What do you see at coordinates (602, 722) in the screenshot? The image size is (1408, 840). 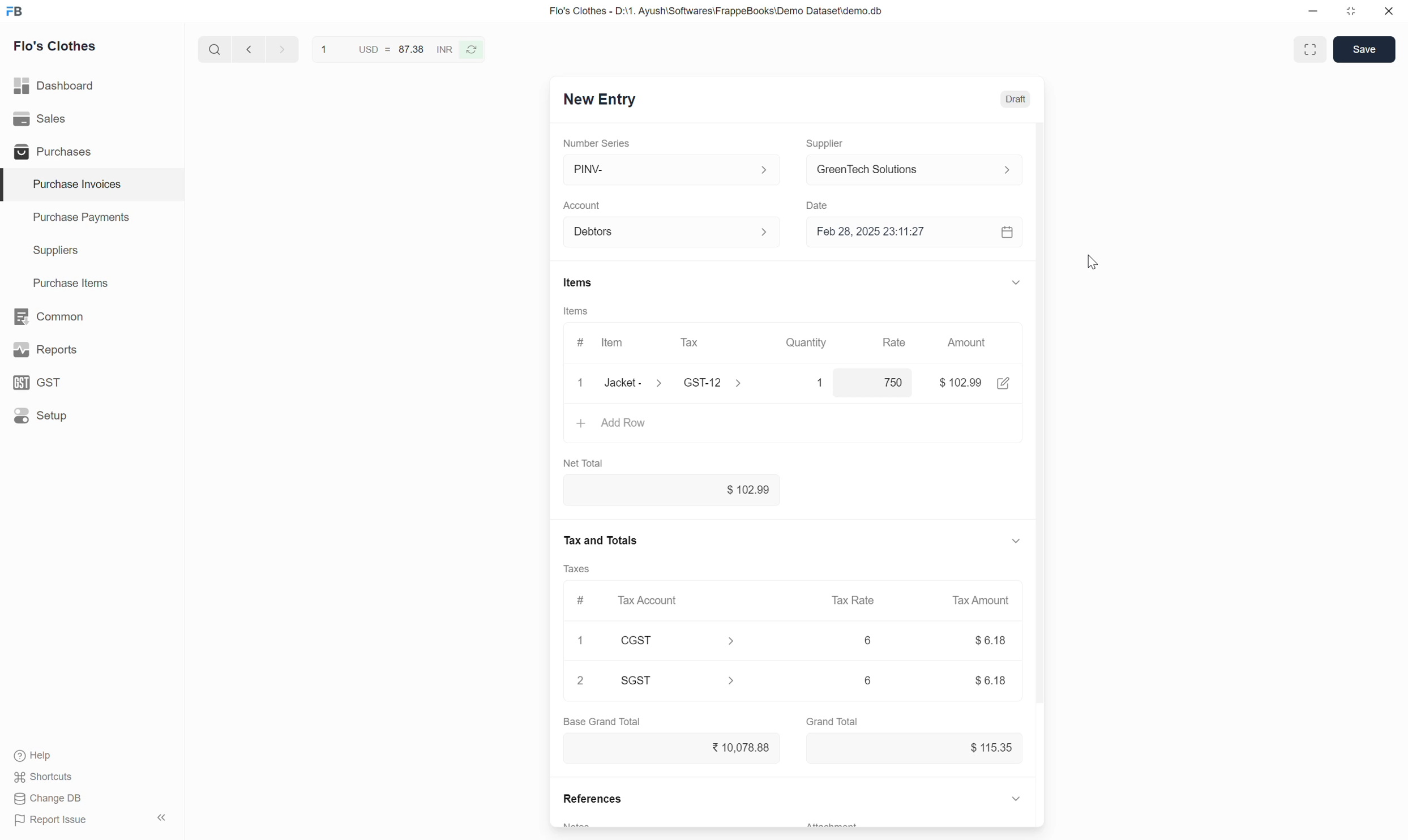 I see `Base Grand Total` at bounding box center [602, 722].